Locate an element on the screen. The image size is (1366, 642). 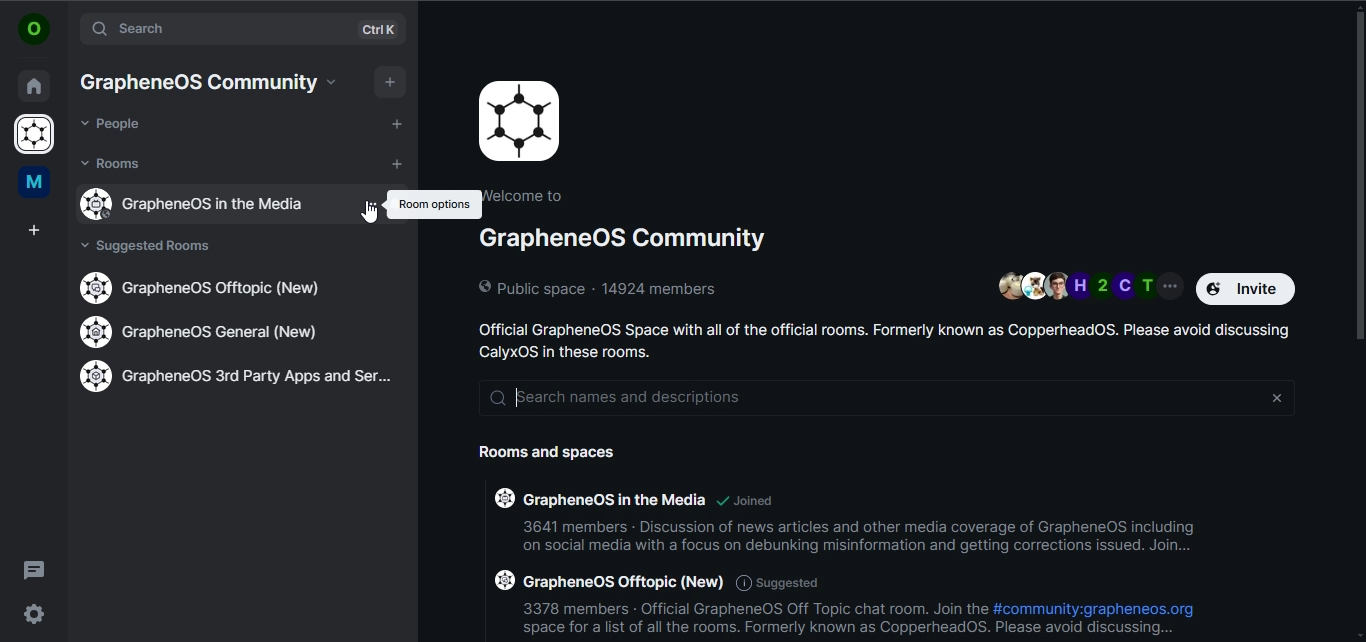
room options is located at coordinates (372, 203).